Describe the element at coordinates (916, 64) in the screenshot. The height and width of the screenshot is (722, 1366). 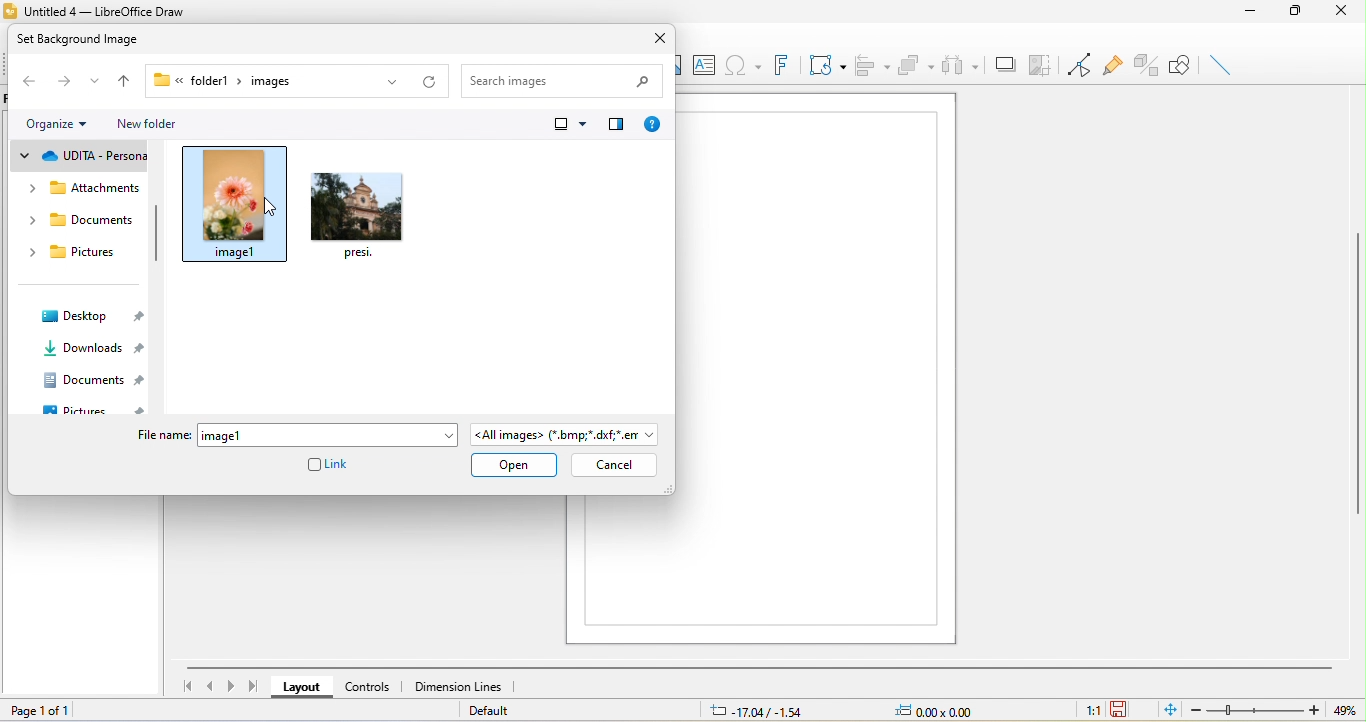
I see `arrange` at that location.